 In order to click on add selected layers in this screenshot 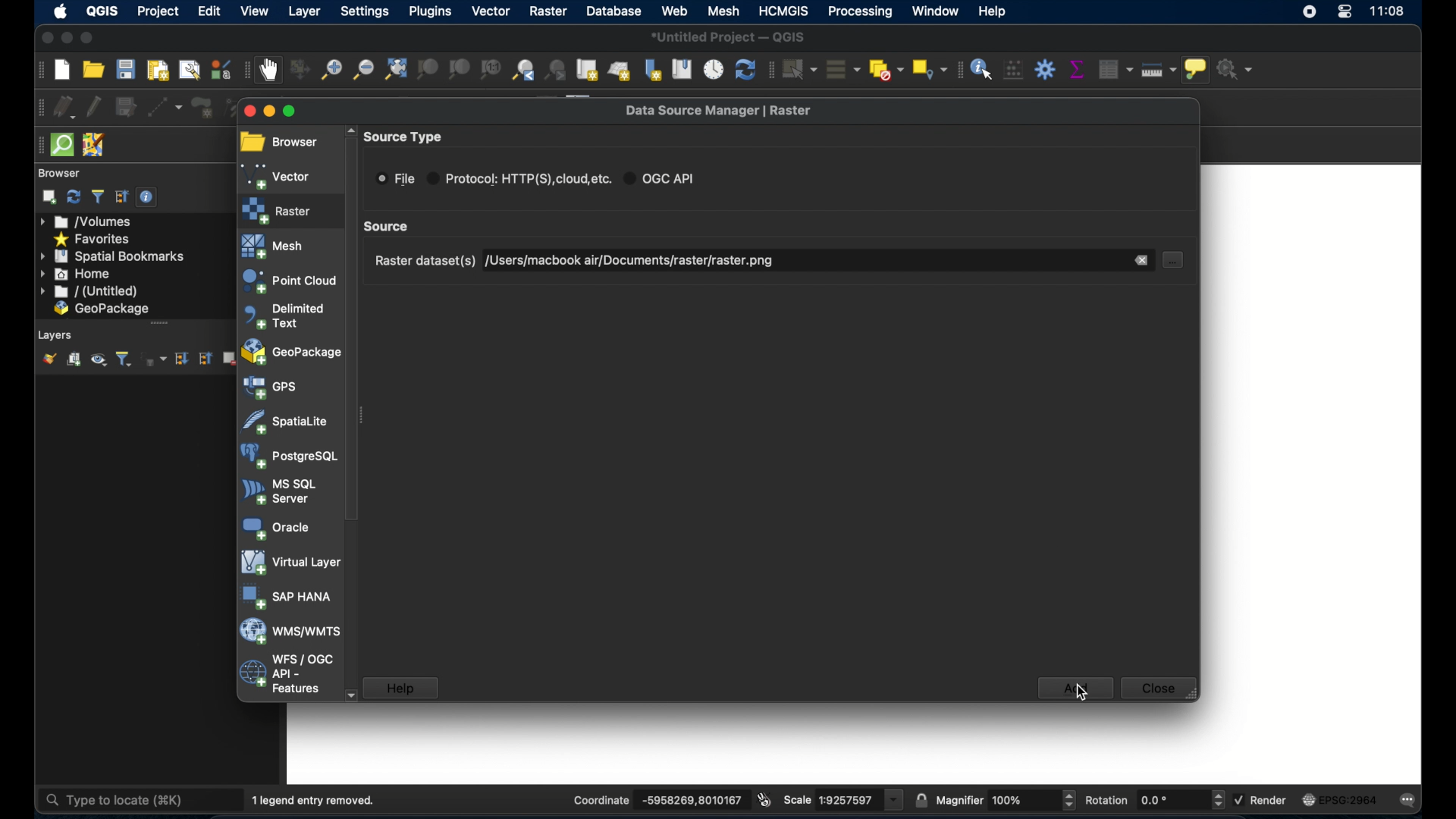, I will do `click(49, 197)`.